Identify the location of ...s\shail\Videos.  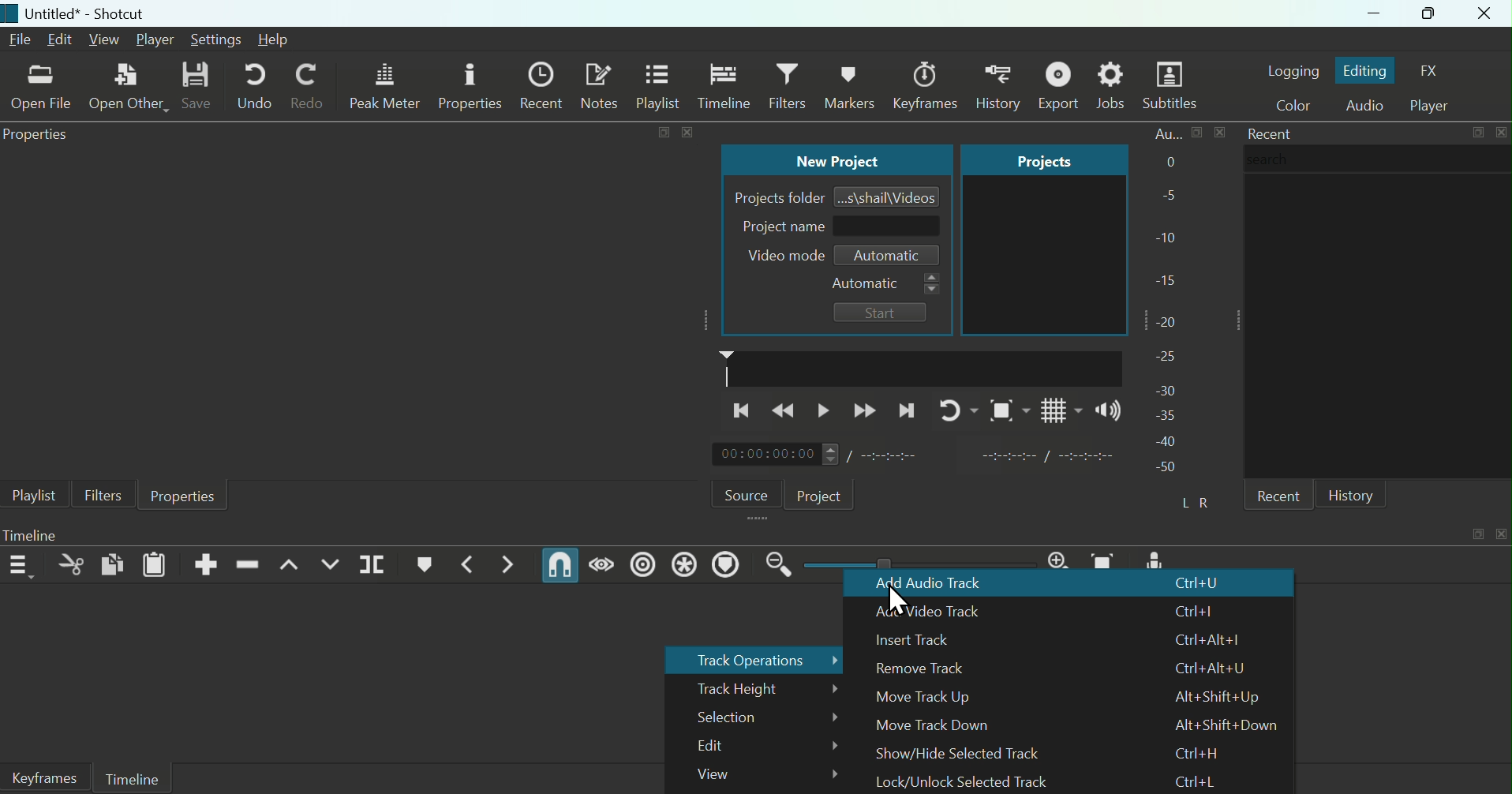
(889, 196).